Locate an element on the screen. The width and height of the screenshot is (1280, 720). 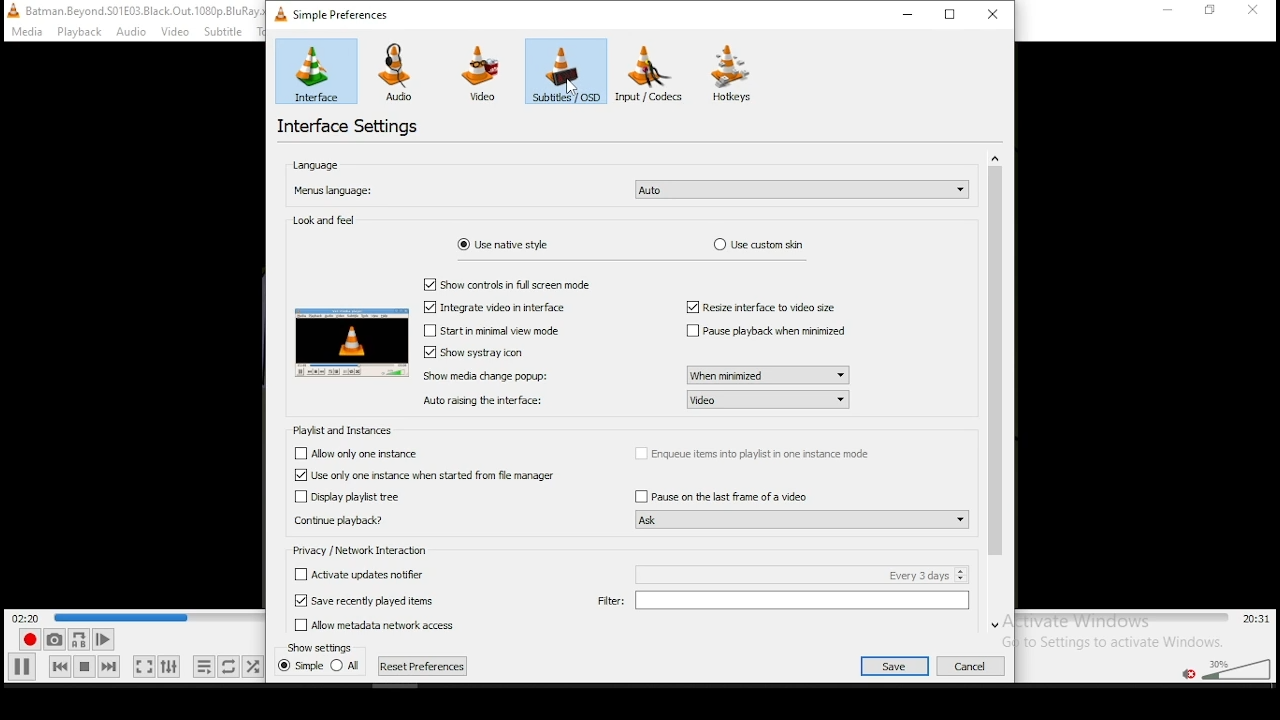
cancel is located at coordinates (972, 666).